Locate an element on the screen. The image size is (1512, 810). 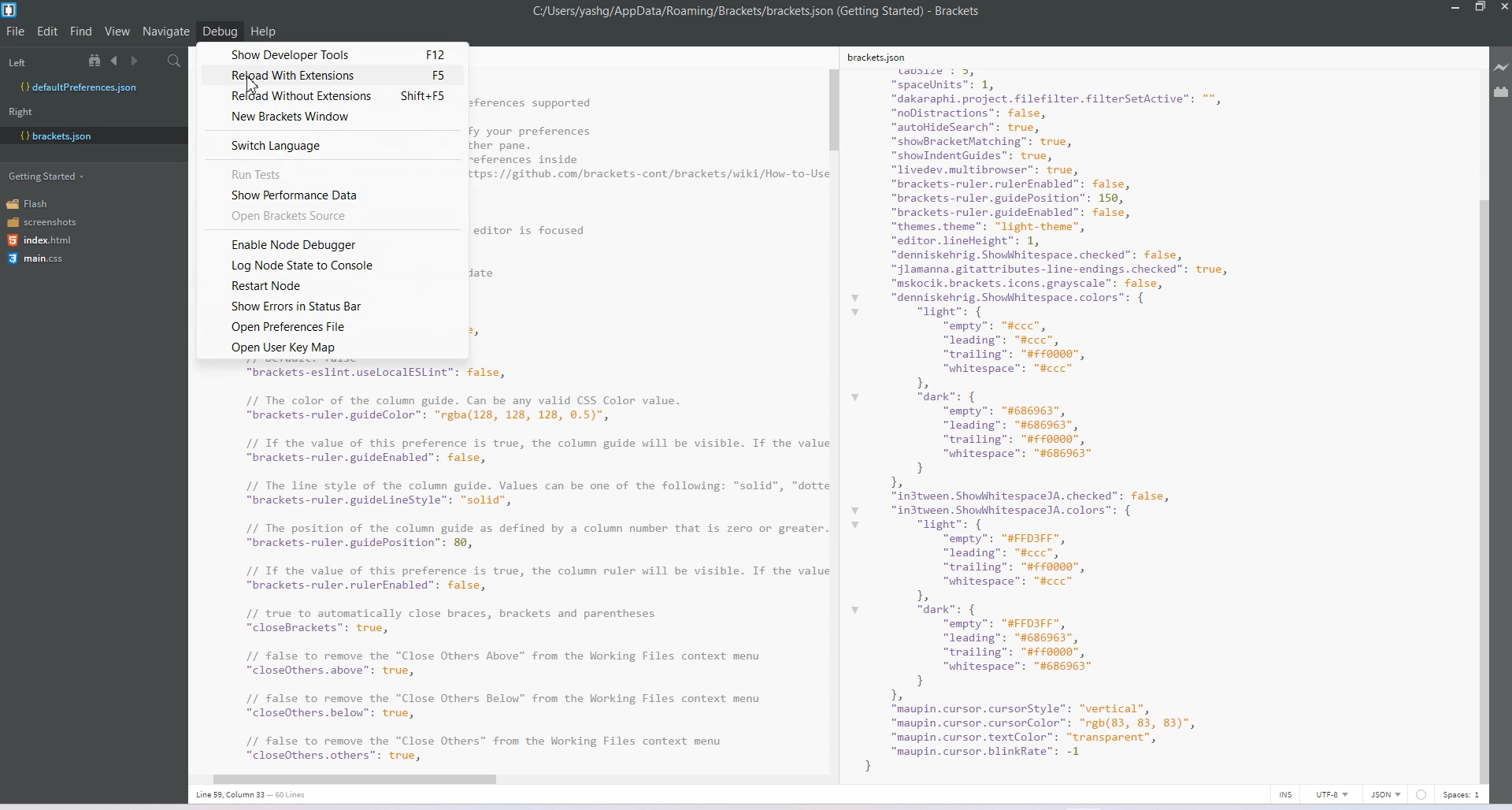
Left is located at coordinates (17, 63).